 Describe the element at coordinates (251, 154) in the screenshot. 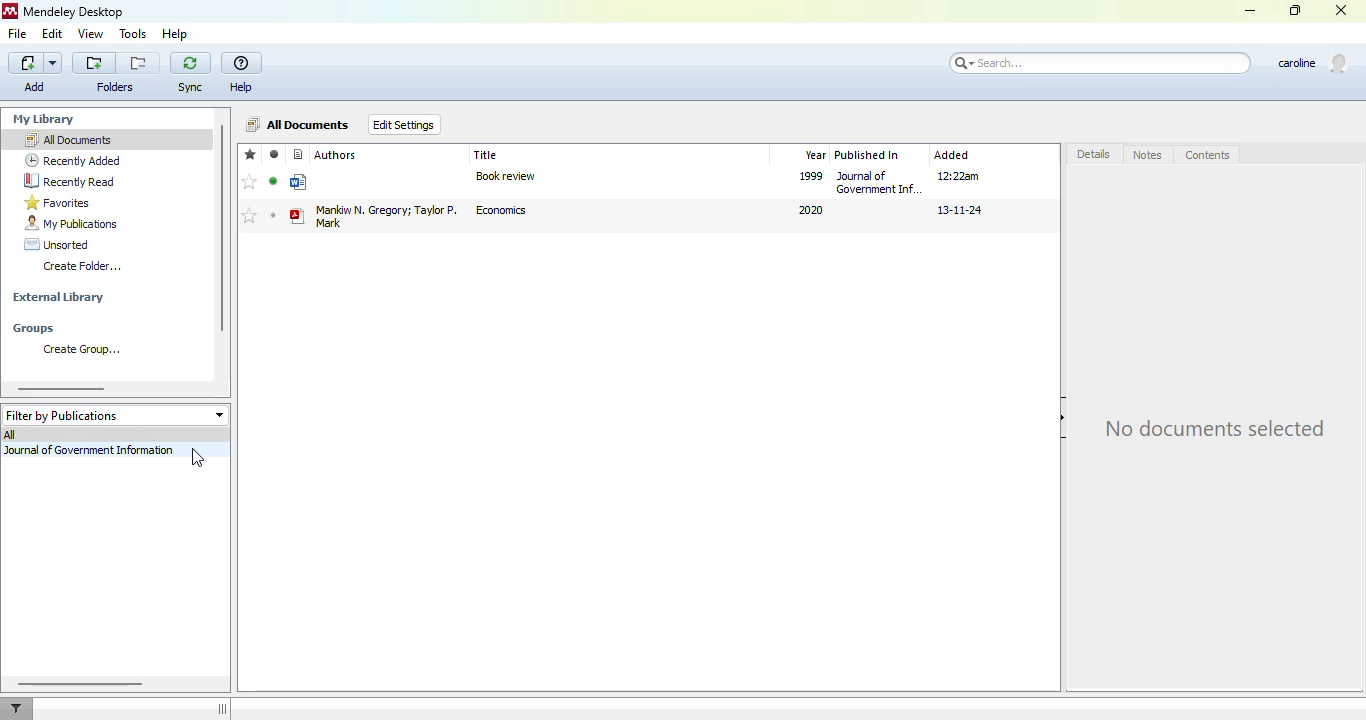

I see `favorites` at that location.